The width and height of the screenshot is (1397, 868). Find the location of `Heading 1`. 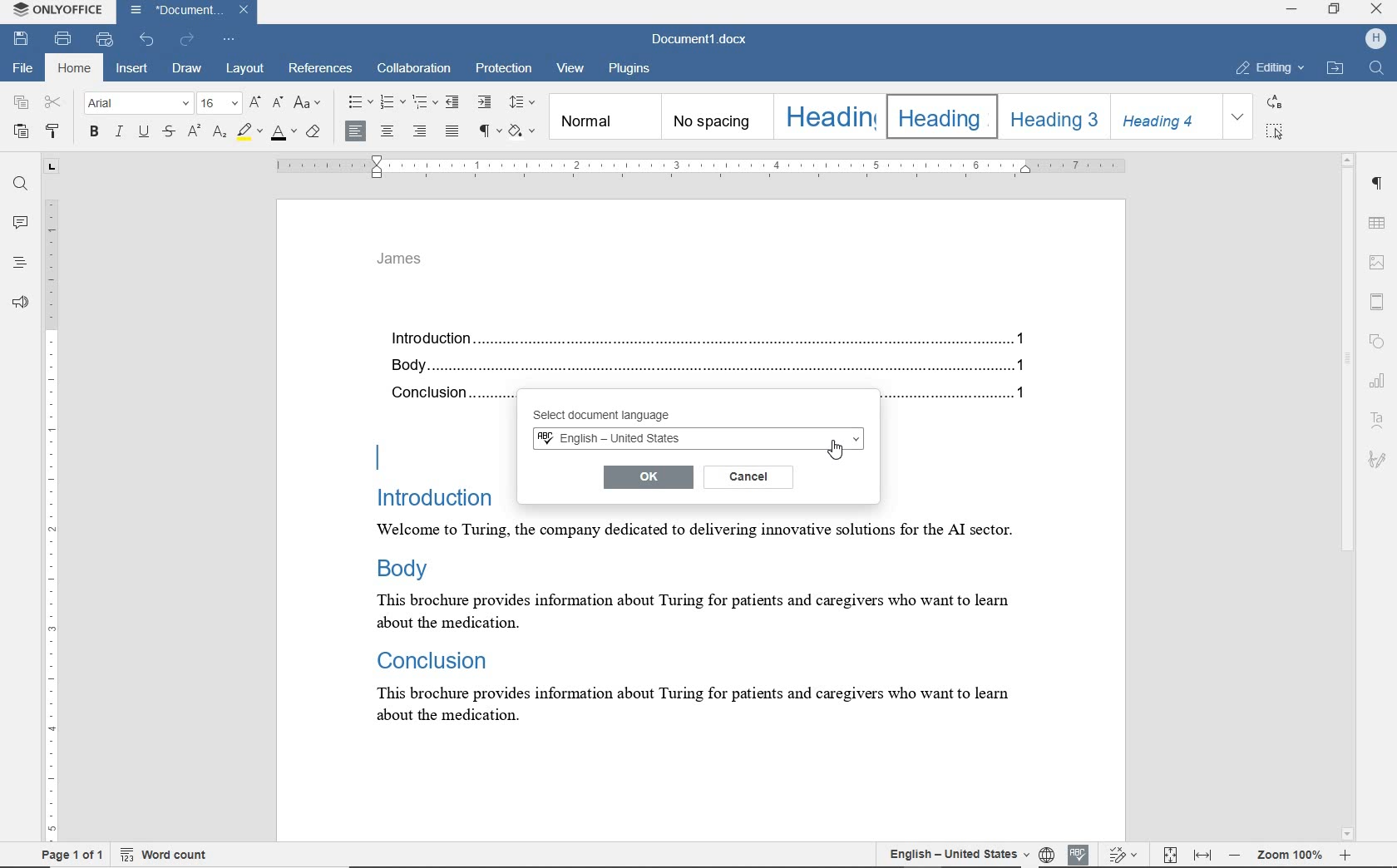

Heading 1 is located at coordinates (827, 116).